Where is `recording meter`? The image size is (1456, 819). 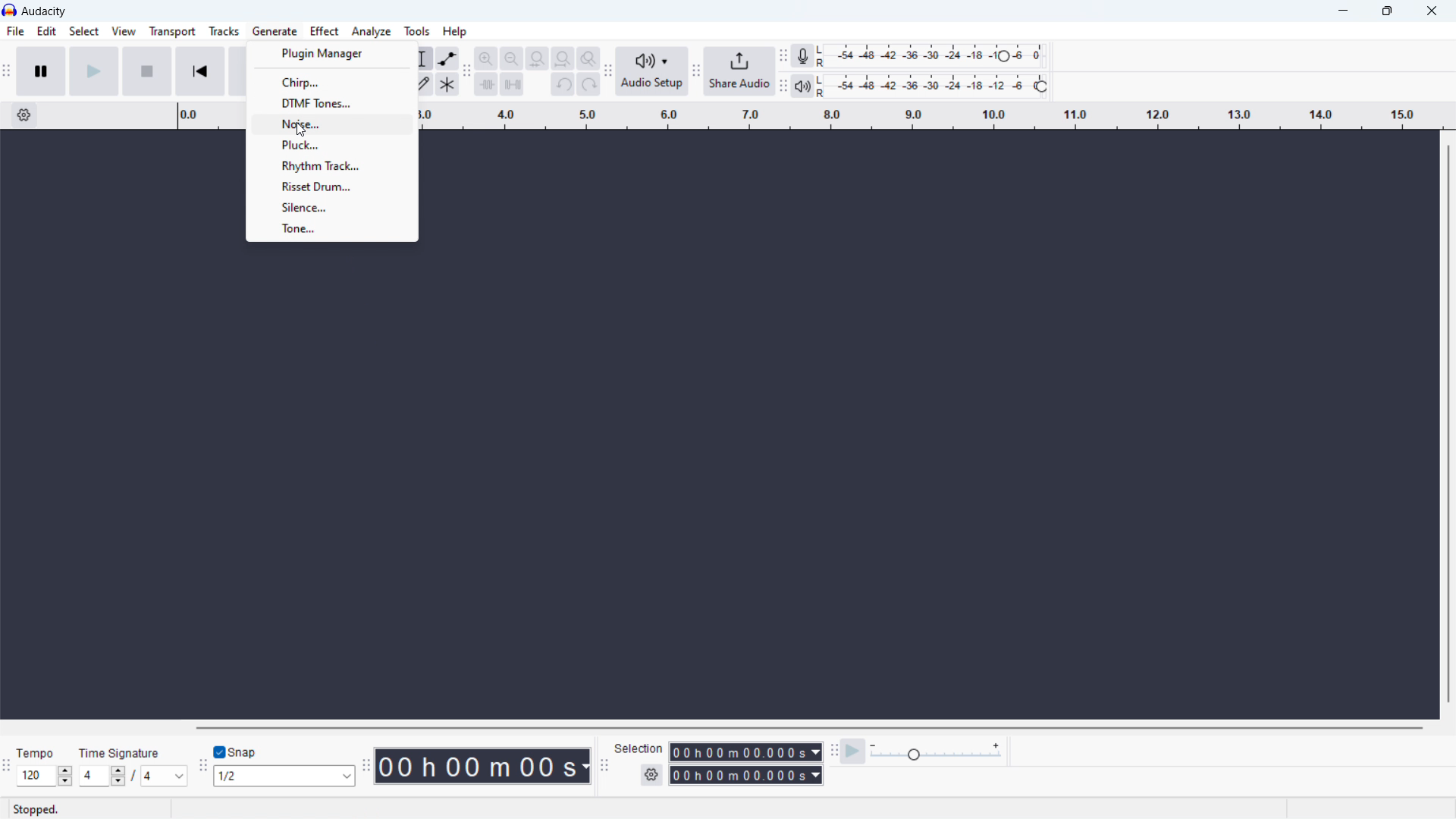 recording meter is located at coordinates (802, 55).